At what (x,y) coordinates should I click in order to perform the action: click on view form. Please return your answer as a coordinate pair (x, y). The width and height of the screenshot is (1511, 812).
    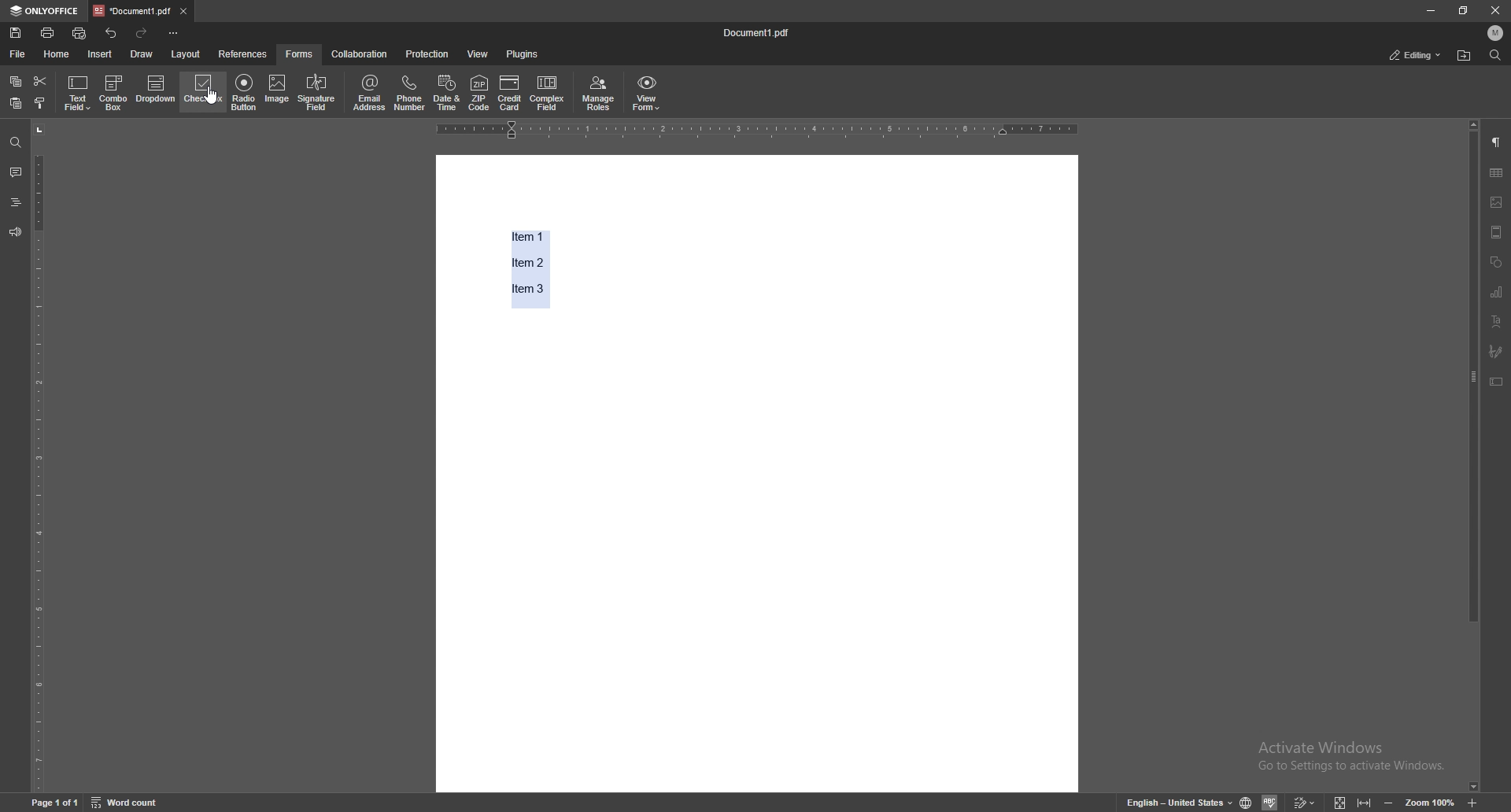
    Looking at the image, I should click on (648, 94).